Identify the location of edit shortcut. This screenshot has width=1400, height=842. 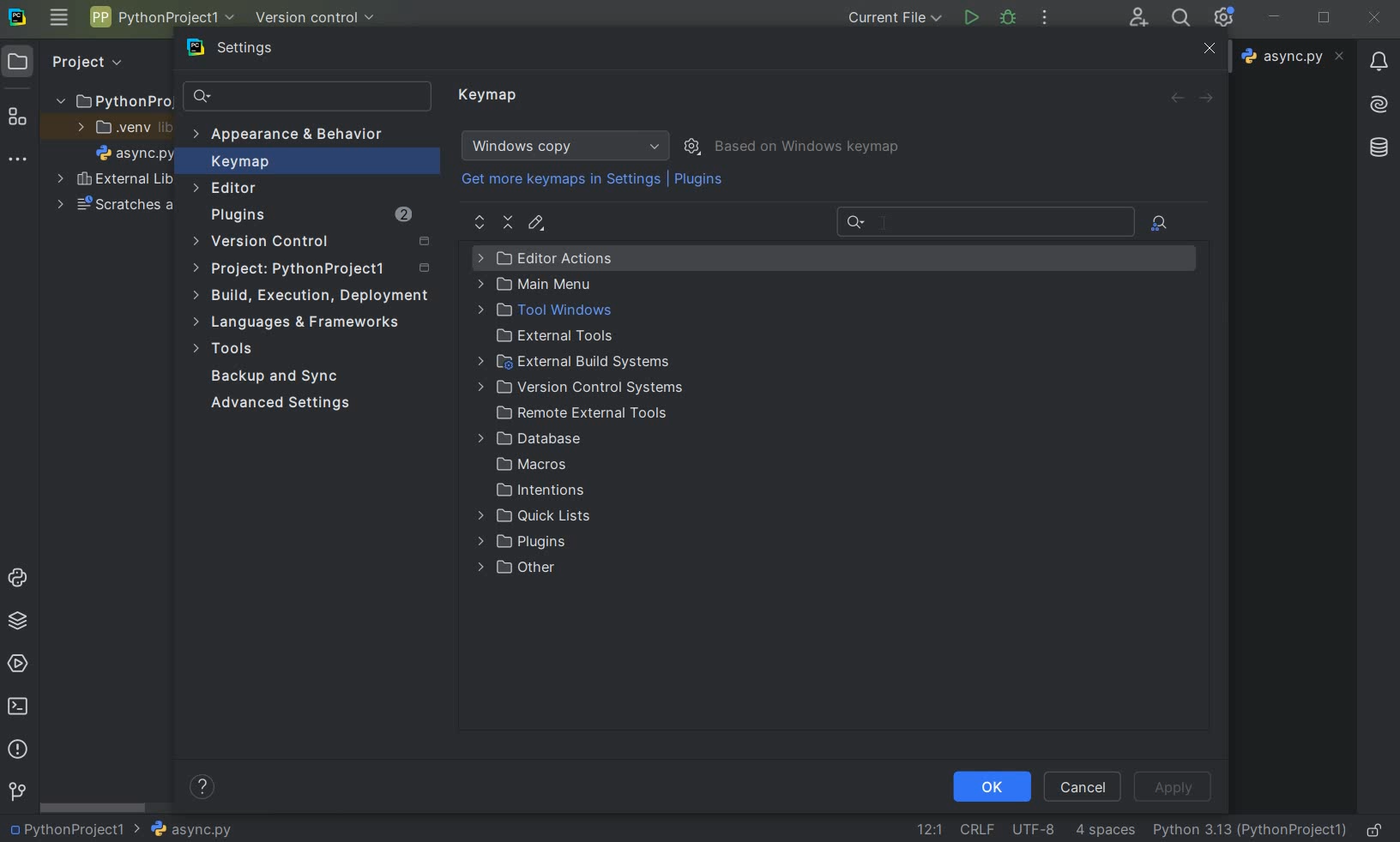
(535, 223).